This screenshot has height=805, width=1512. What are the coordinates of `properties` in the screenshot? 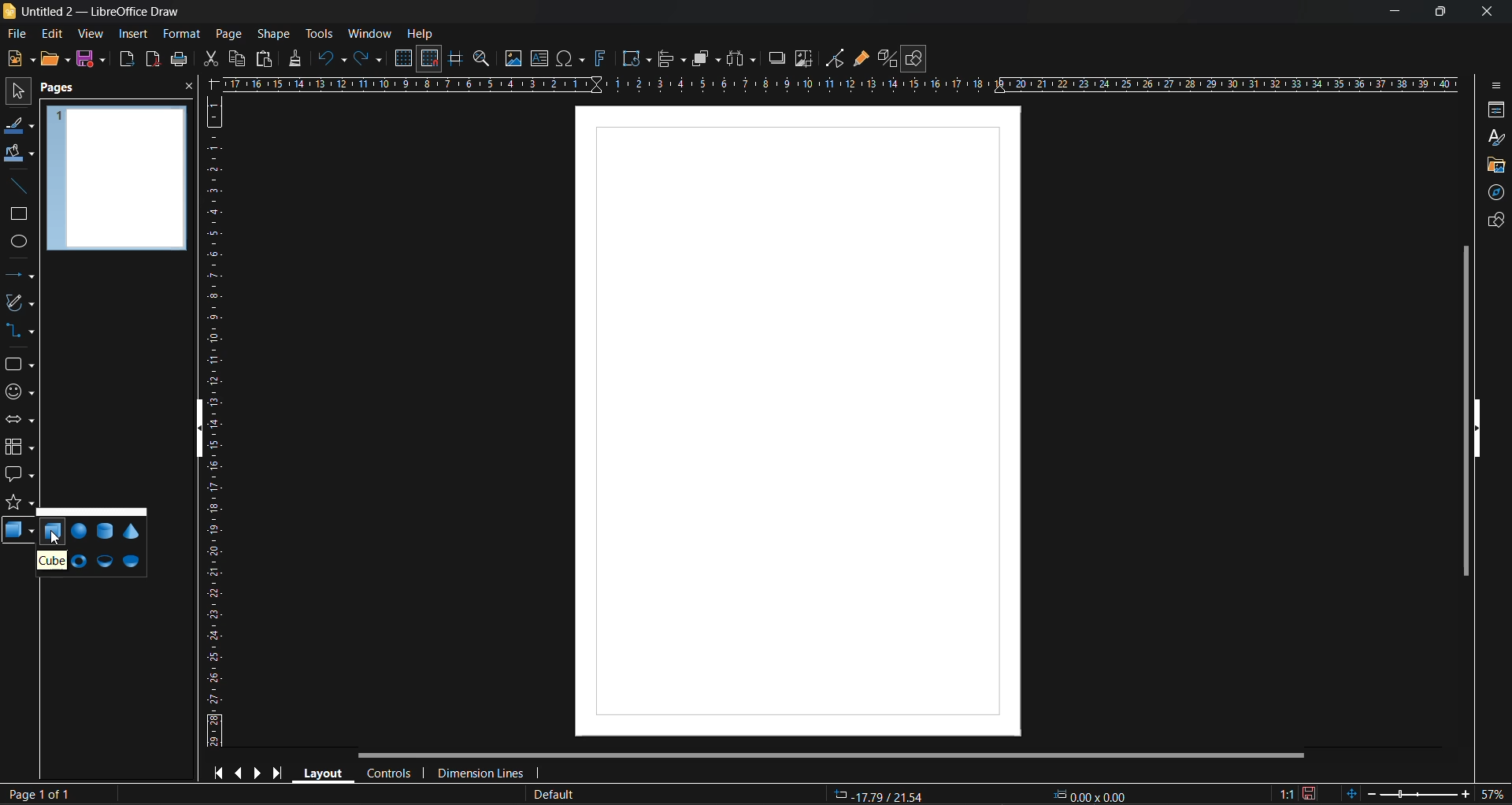 It's located at (1493, 111).